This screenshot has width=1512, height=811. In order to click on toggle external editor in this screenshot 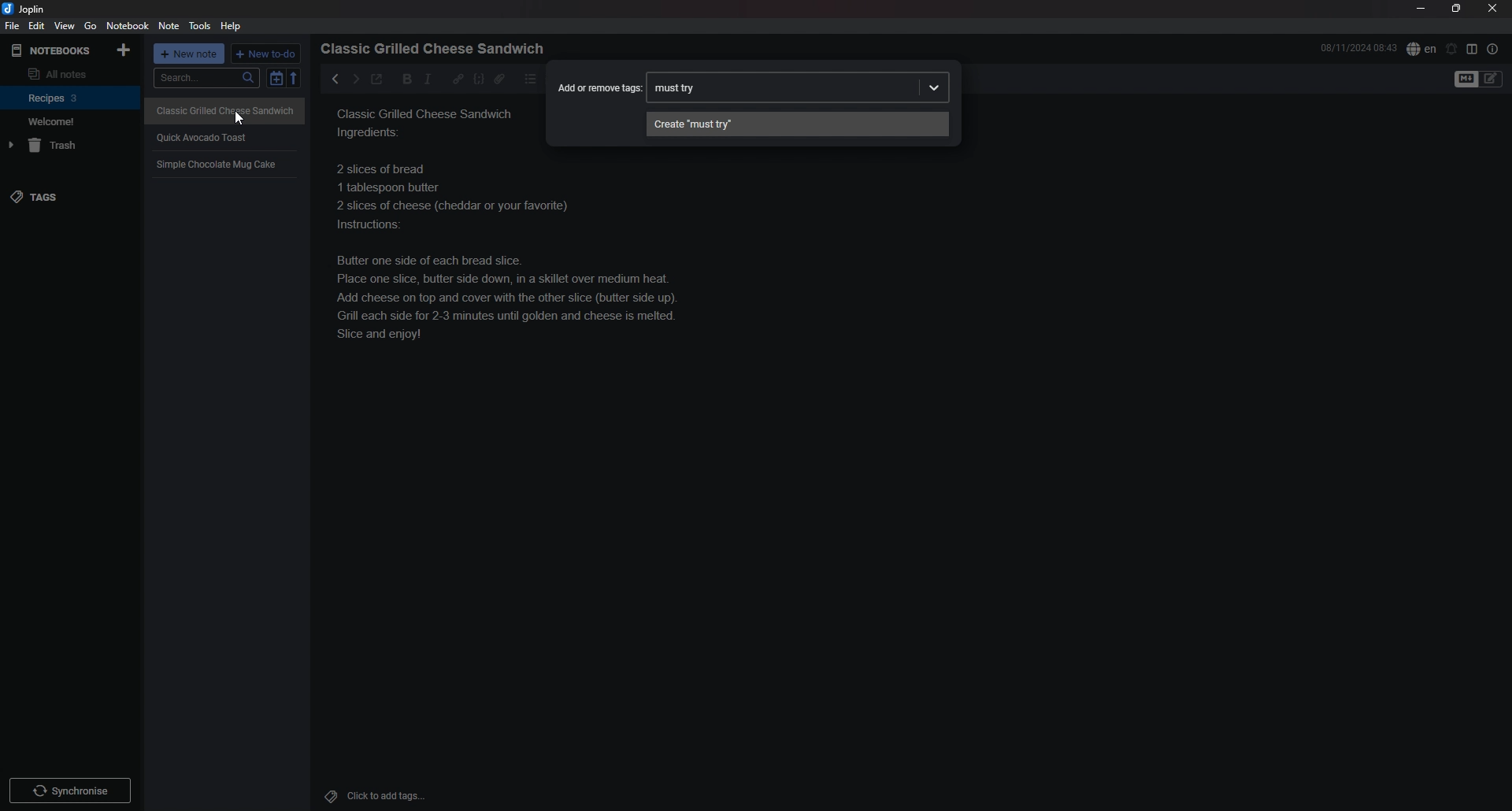, I will do `click(376, 81)`.